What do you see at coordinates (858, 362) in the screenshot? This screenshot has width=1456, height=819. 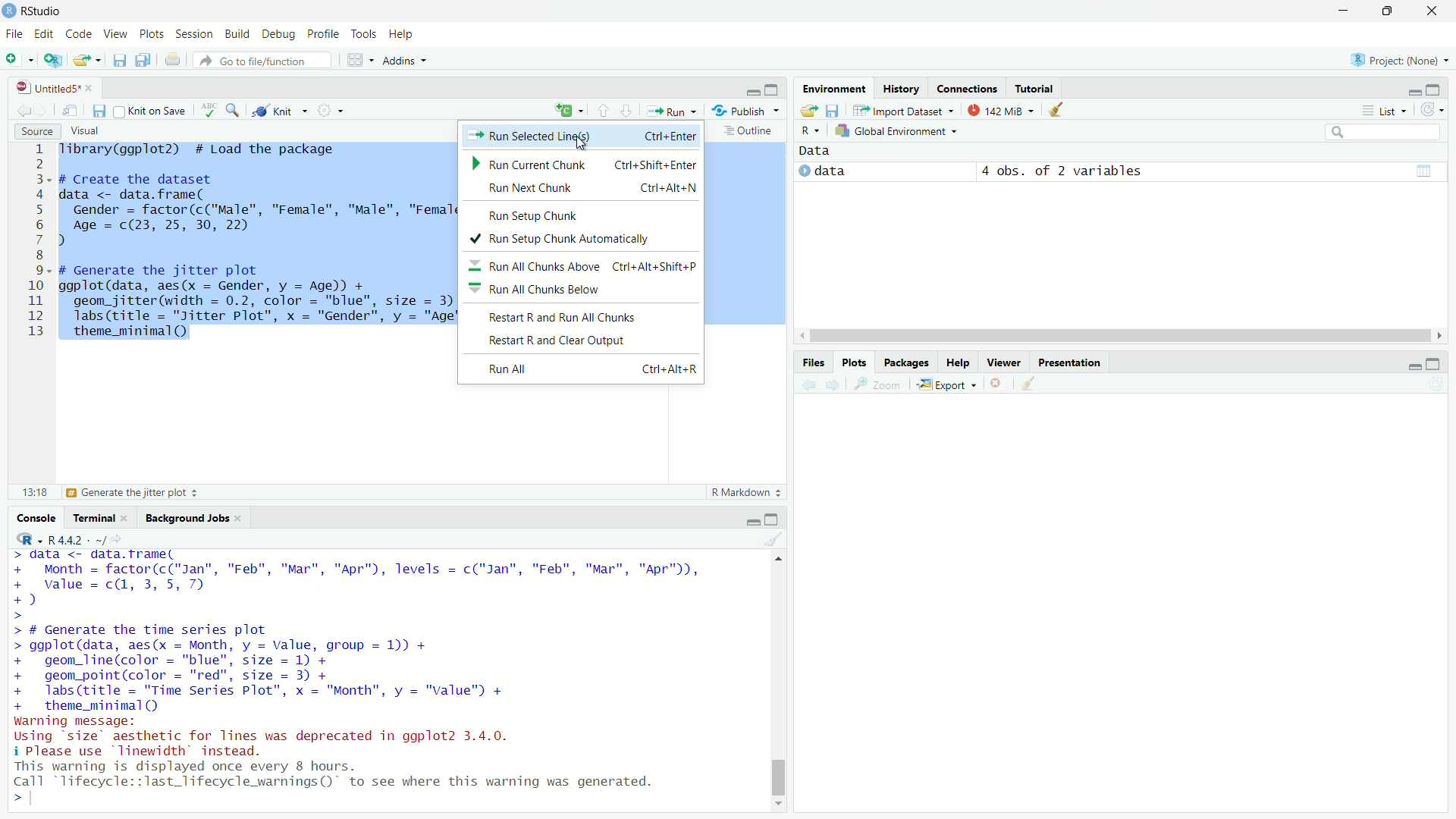 I see `plots` at bounding box center [858, 362].